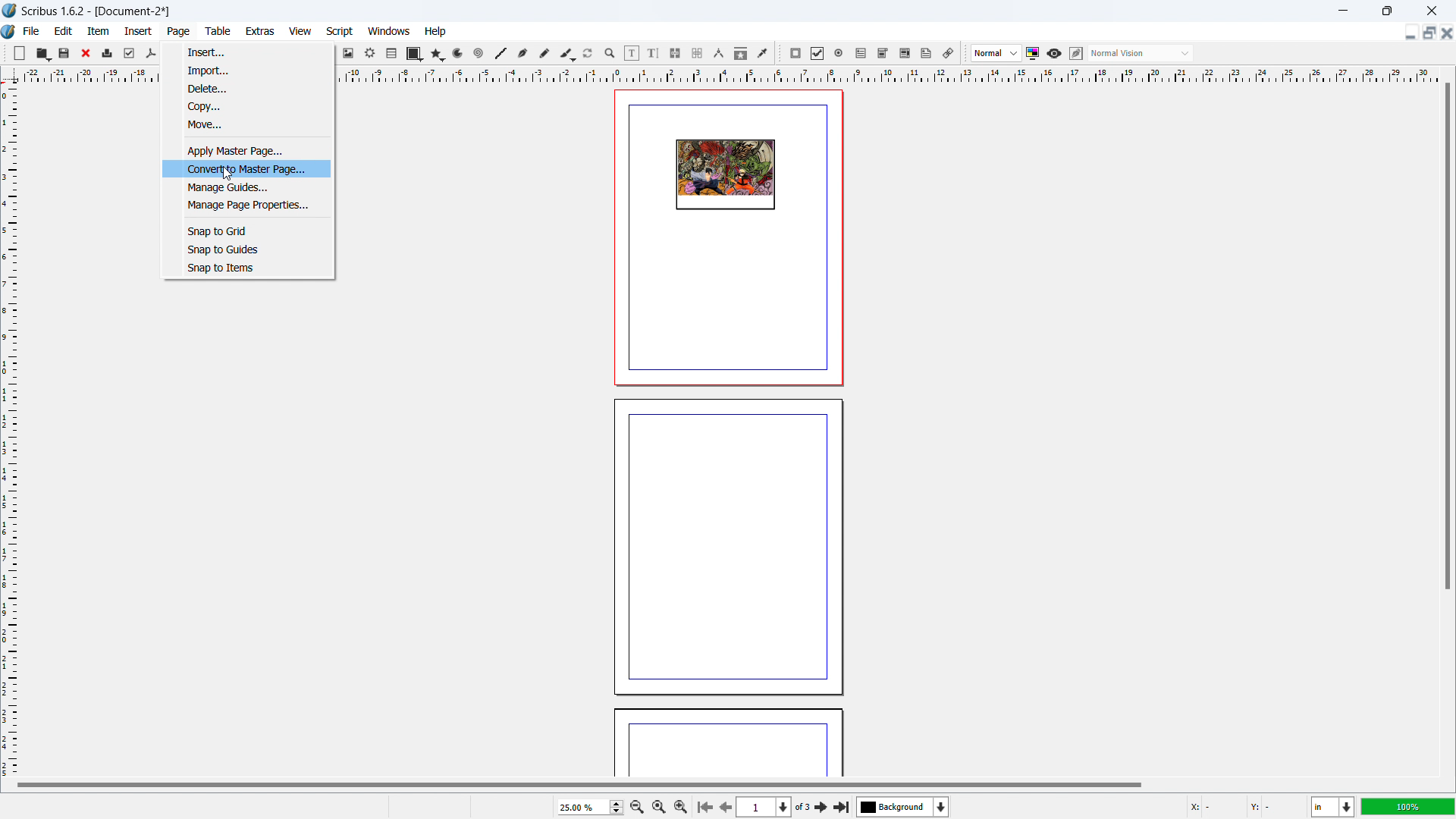 The width and height of the screenshot is (1456, 819). Describe the element at coordinates (658, 805) in the screenshot. I see `zoom to 100%` at that location.